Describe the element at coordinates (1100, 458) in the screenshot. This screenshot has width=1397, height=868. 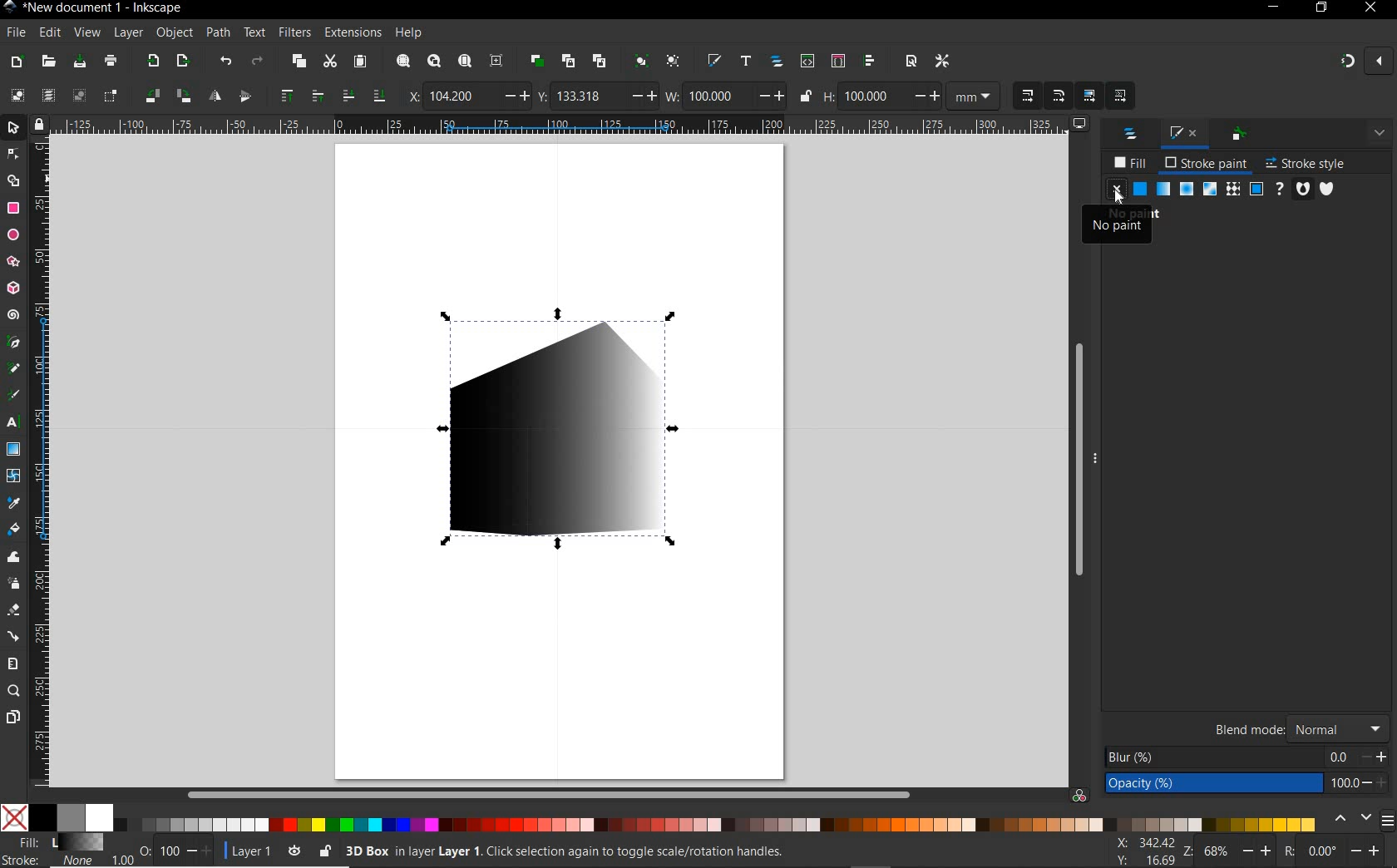
I see `hide` at that location.